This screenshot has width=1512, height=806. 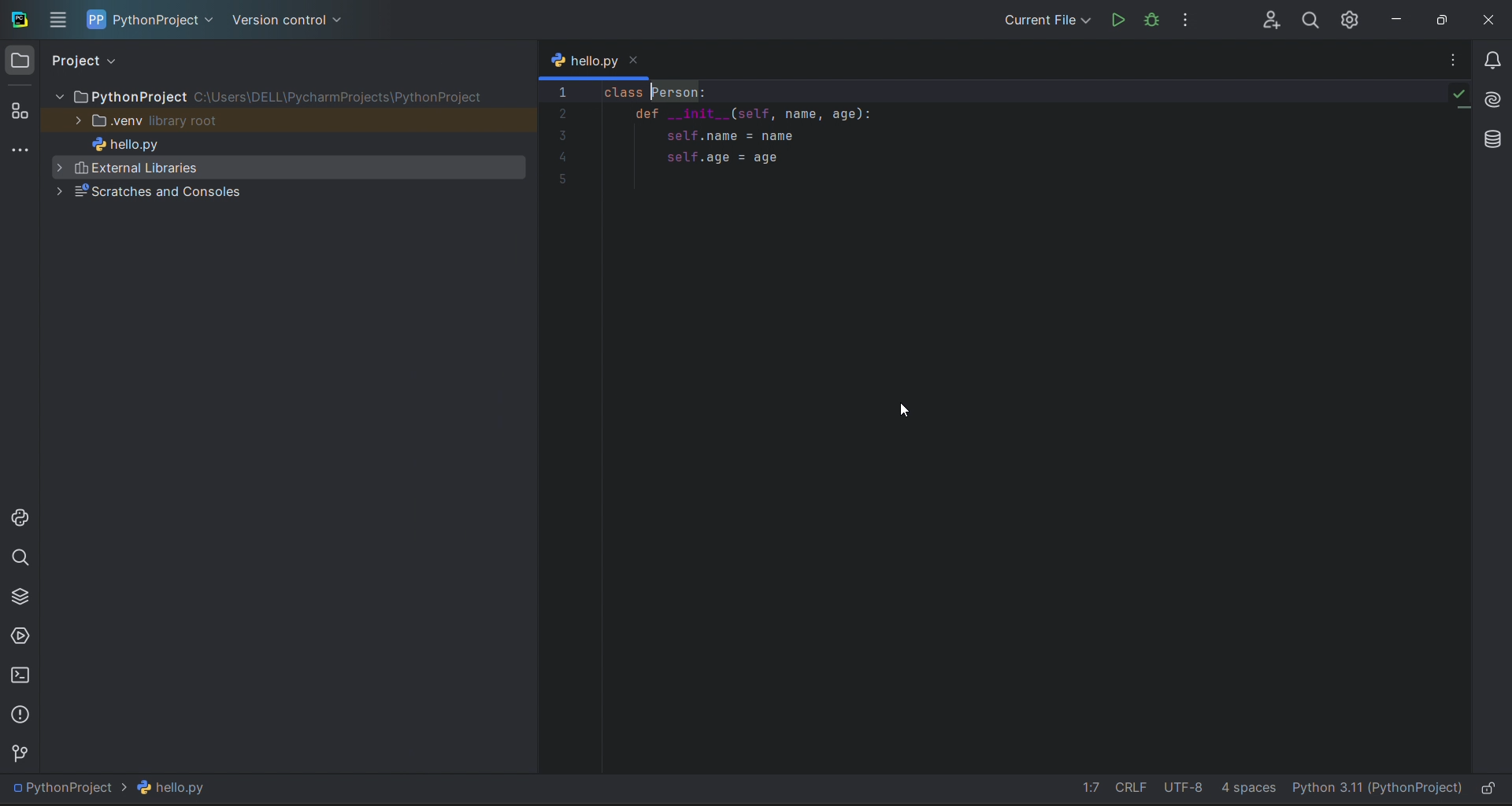 I want to click on database, so click(x=1494, y=140).